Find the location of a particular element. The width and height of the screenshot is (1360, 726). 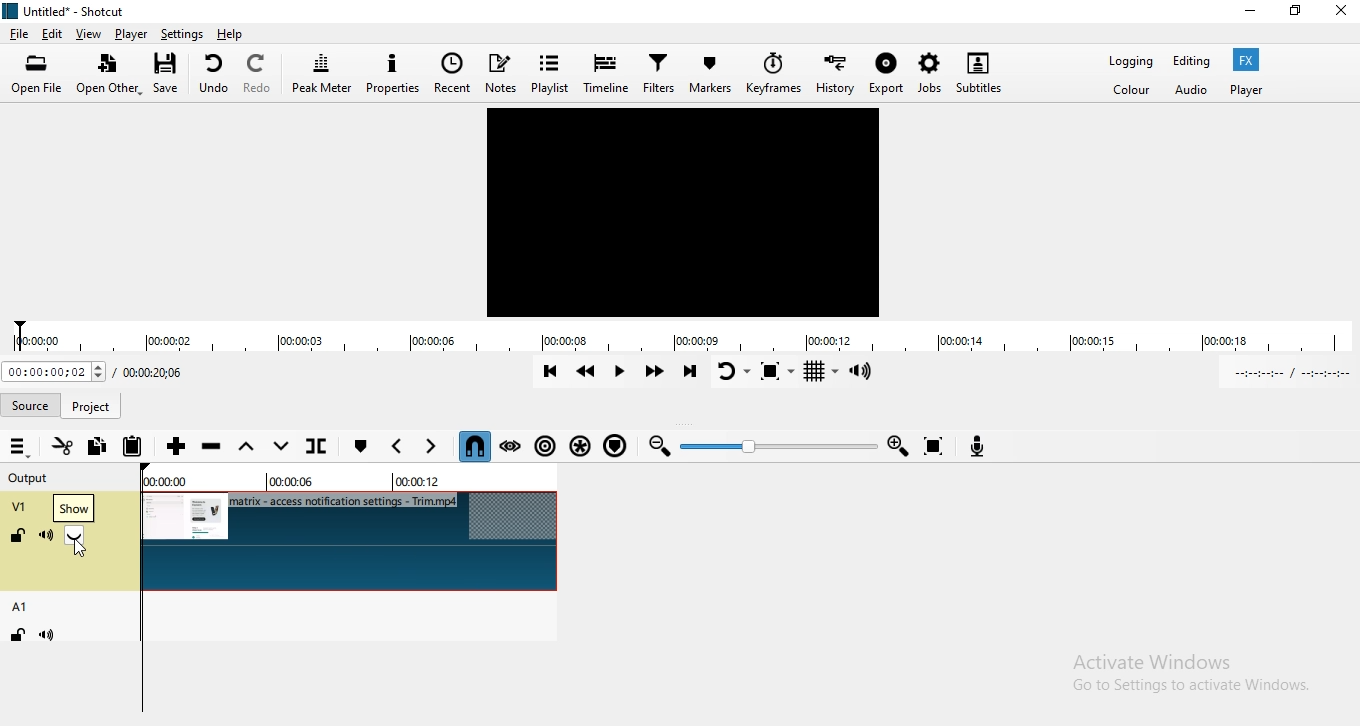

Total duration is located at coordinates (161, 371).